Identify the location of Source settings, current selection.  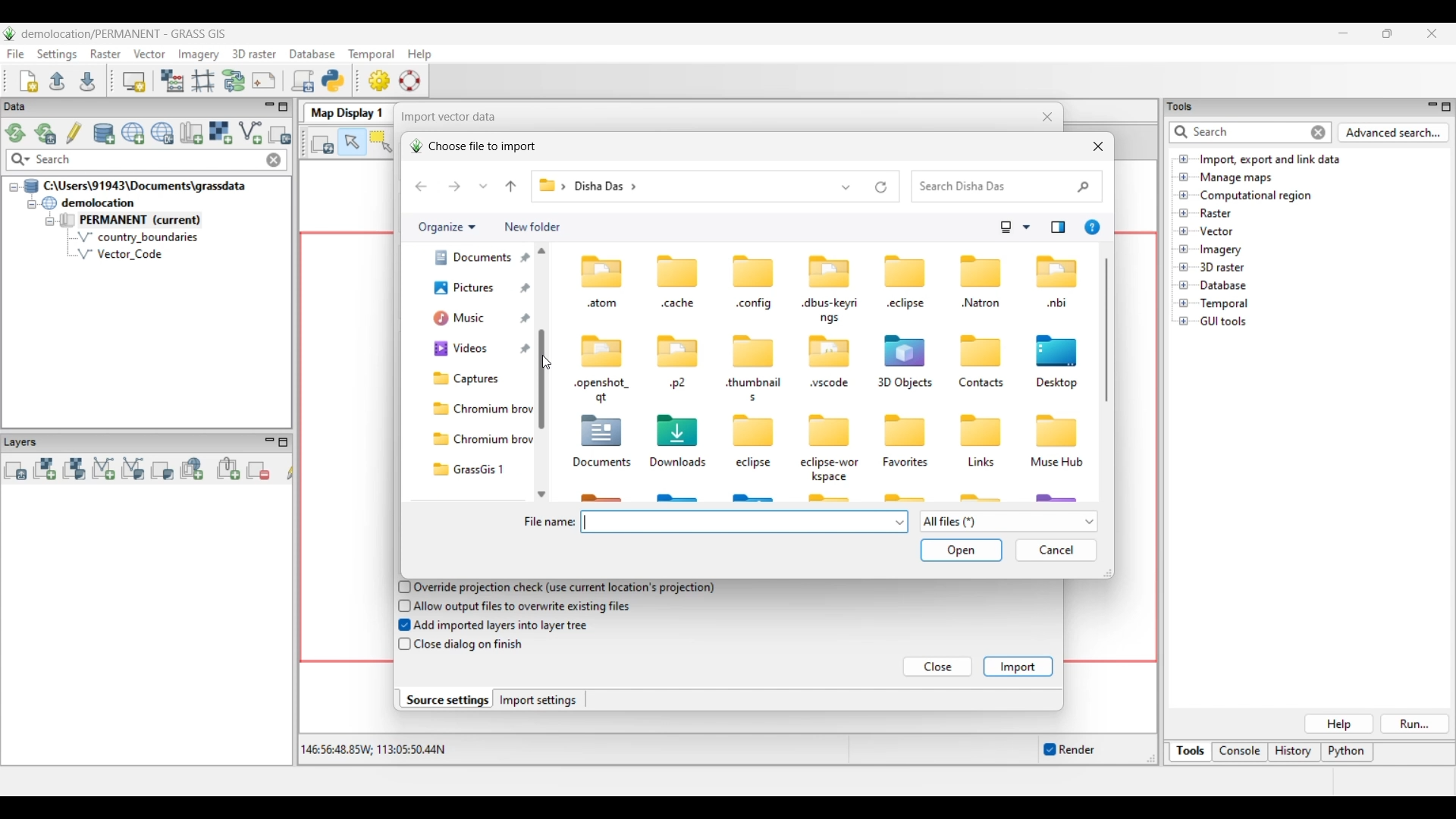
(446, 699).